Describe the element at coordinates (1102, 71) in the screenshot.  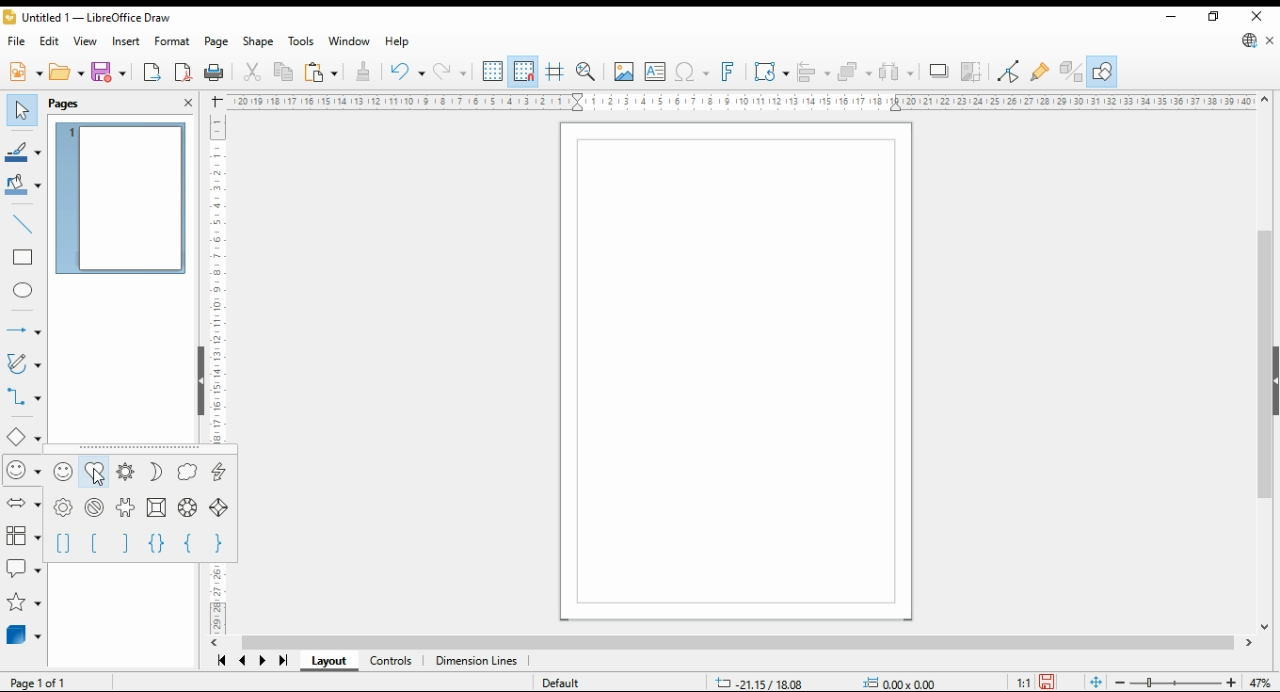
I see `show draw functions` at that location.